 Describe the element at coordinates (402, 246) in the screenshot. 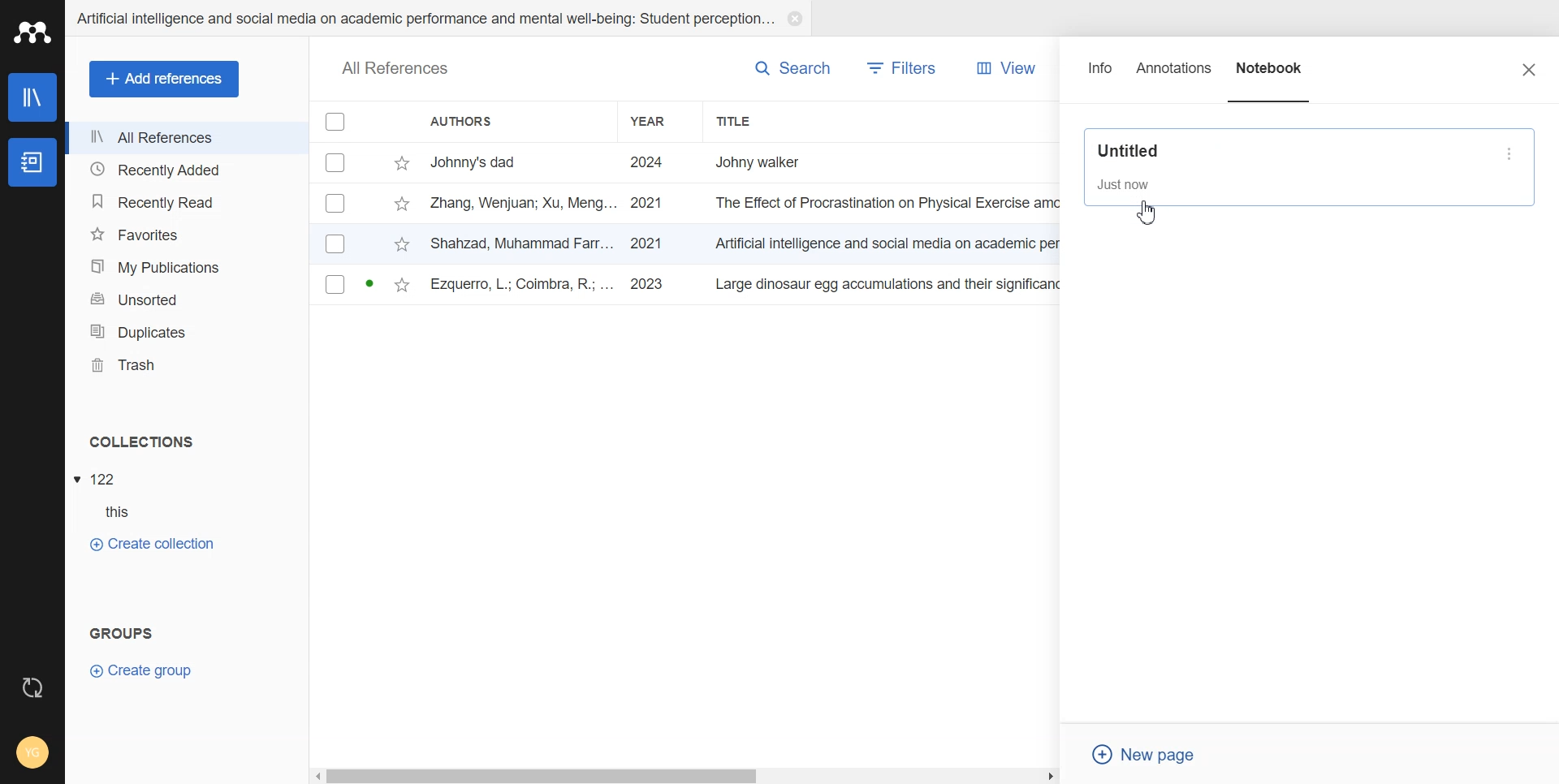

I see `star` at that location.